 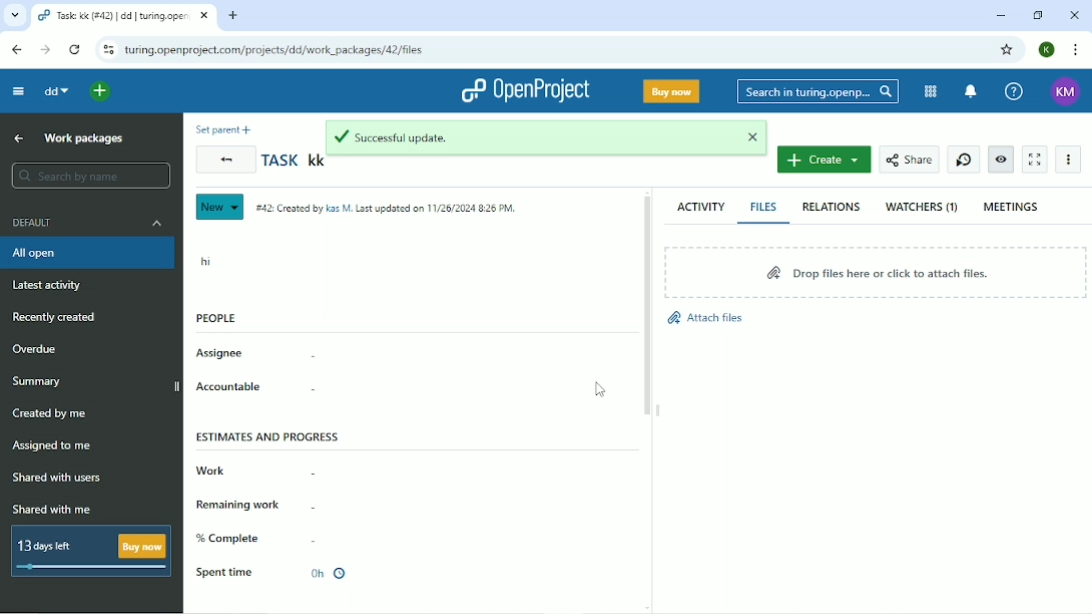 What do you see at coordinates (1013, 206) in the screenshot?
I see `Meetings` at bounding box center [1013, 206].